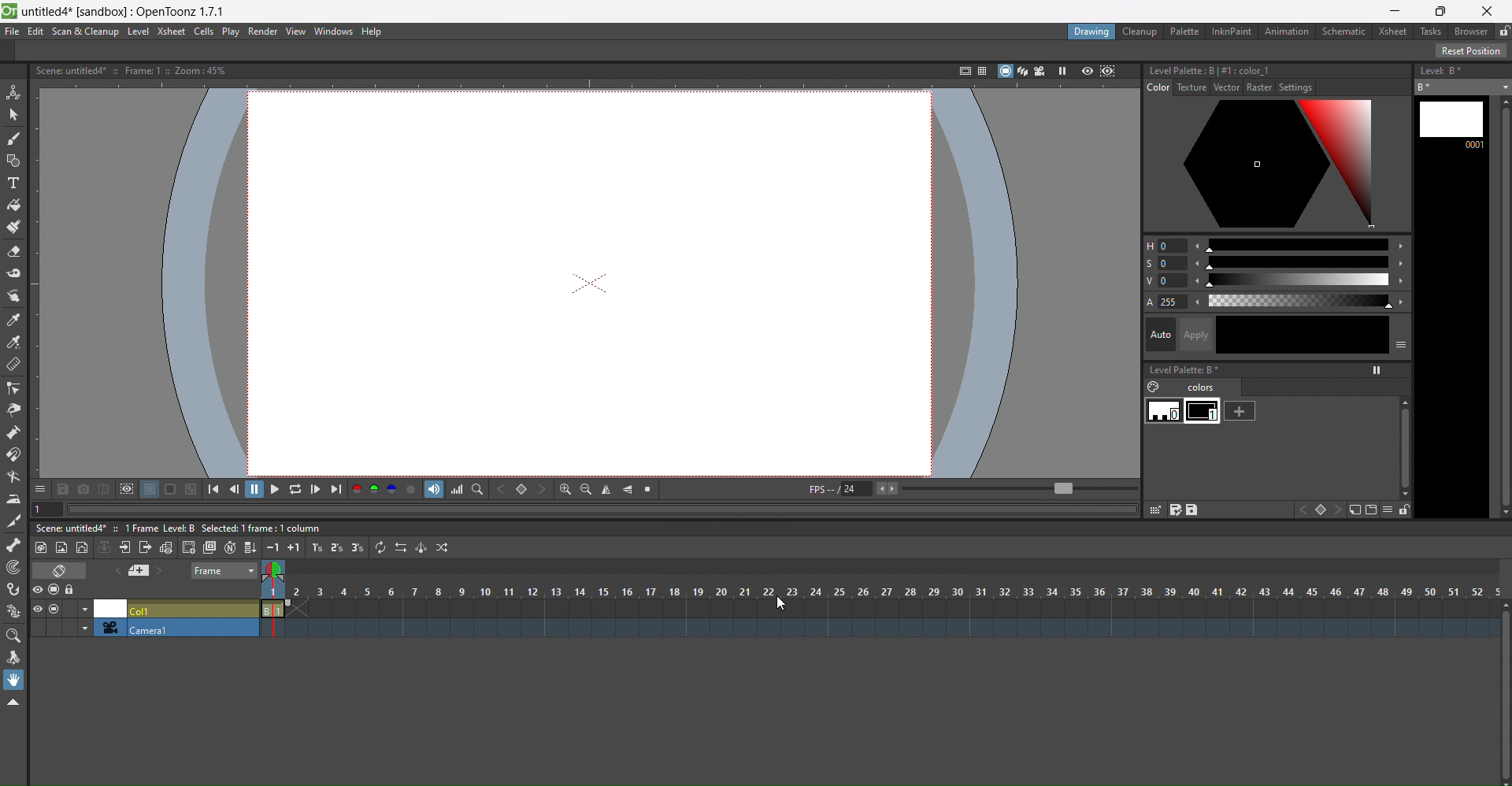 This screenshot has height=786, width=1512. Describe the element at coordinates (206, 32) in the screenshot. I see `cells` at that location.